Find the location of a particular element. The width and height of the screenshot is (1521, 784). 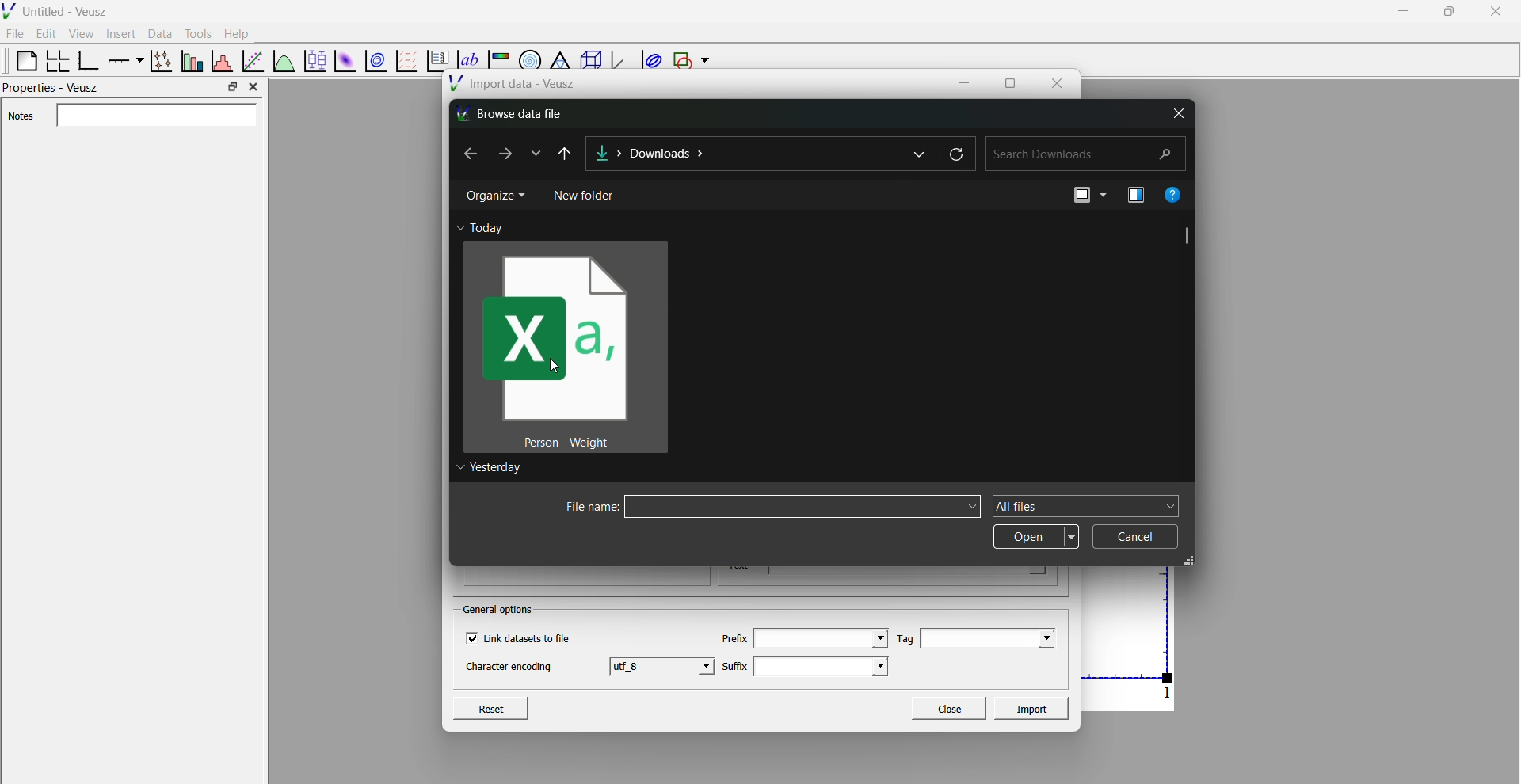

add an axis to a plot is located at coordinates (124, 59).